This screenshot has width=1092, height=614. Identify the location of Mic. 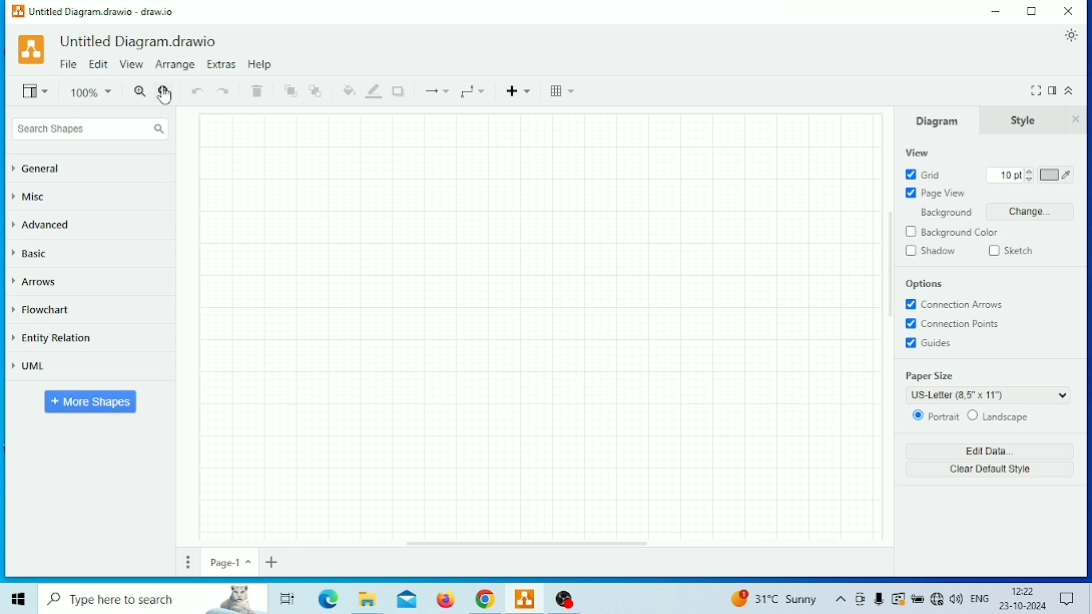
(879, 598).